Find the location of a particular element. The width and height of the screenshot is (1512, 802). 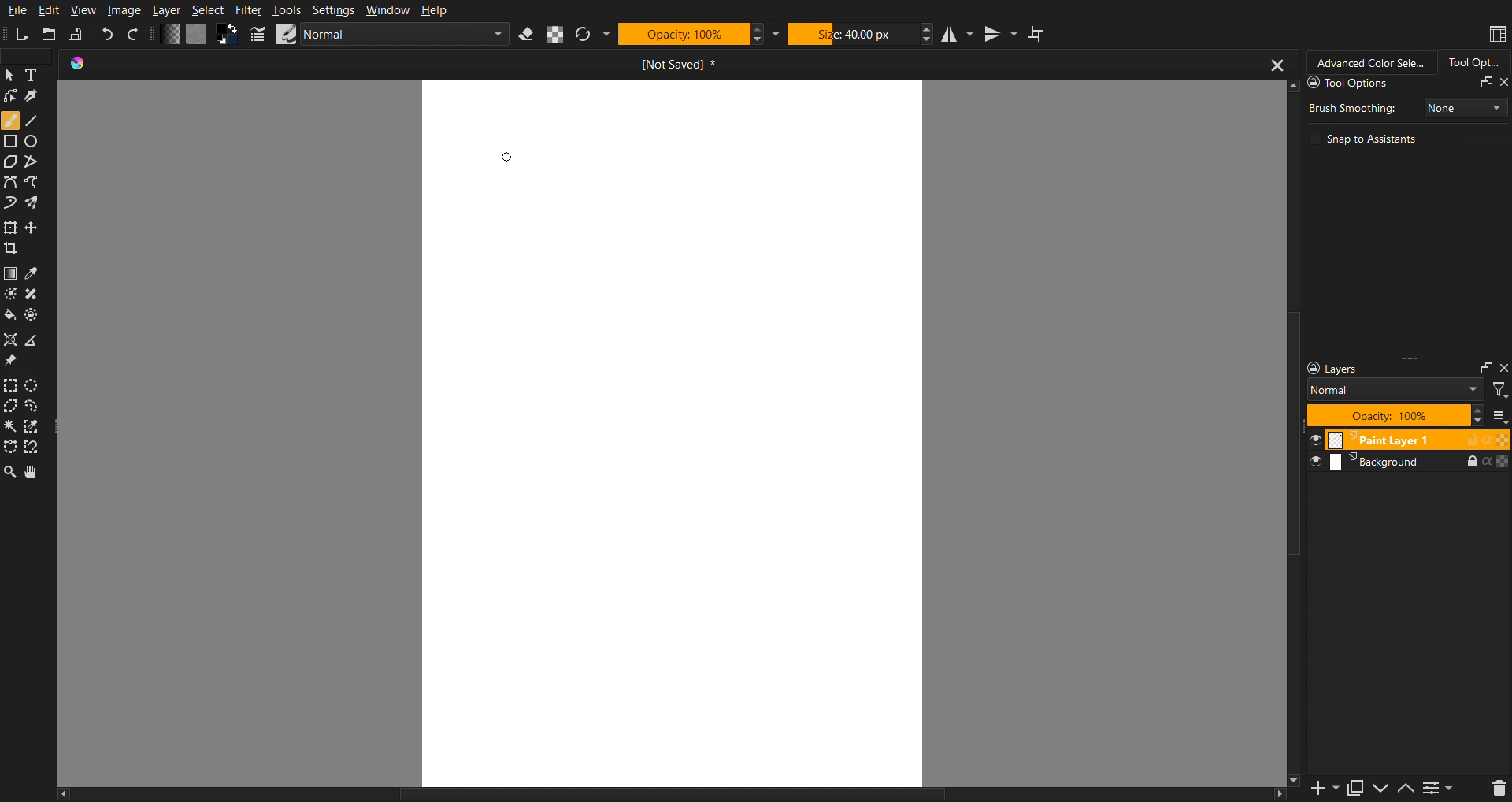

Down is located at coordinates (1384, 789).